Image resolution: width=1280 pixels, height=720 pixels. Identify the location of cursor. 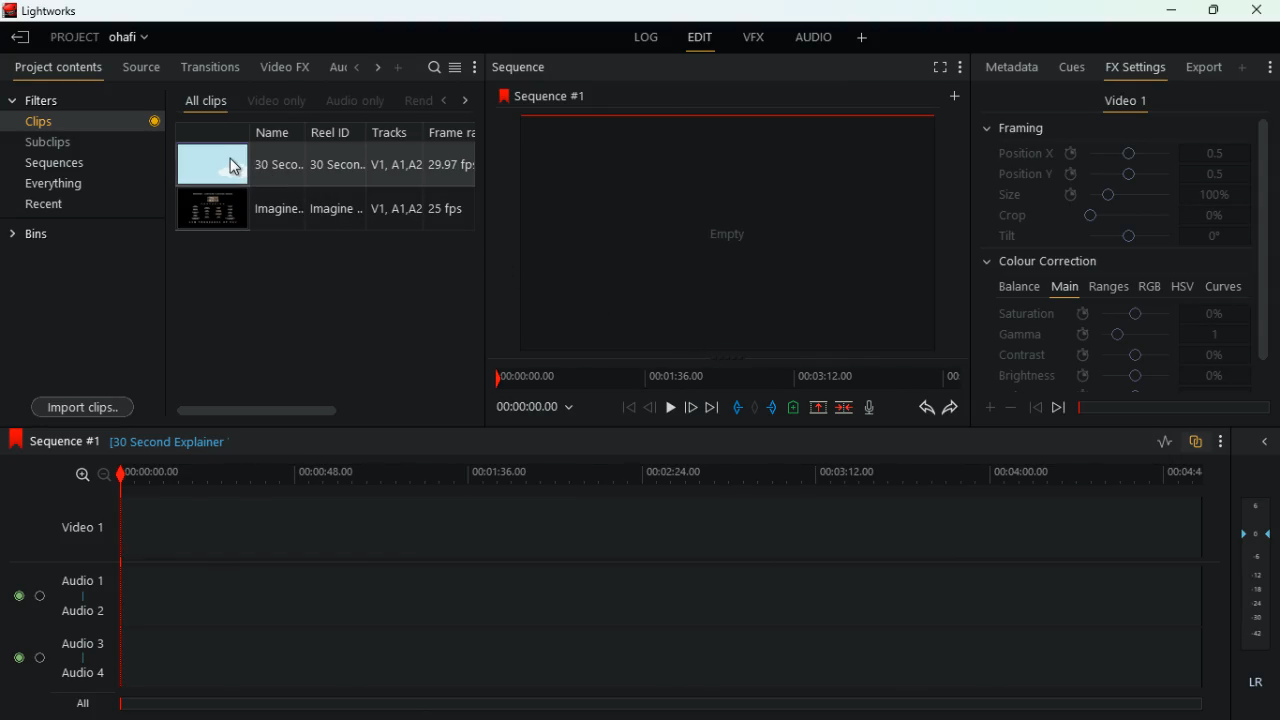
(236, 167).